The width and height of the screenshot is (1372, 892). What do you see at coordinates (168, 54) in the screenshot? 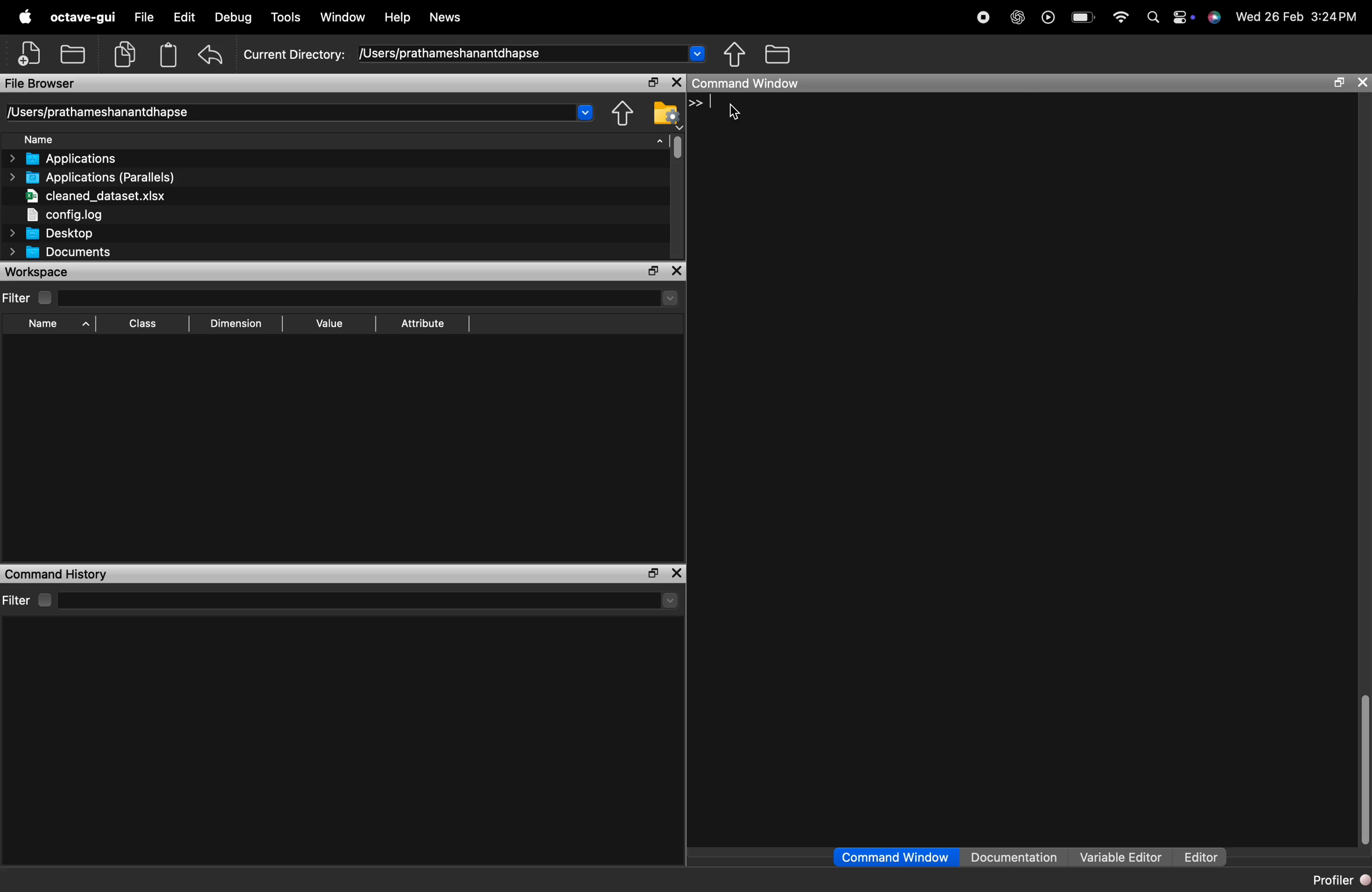
I see `Paste` at bounding box center [168, 54].